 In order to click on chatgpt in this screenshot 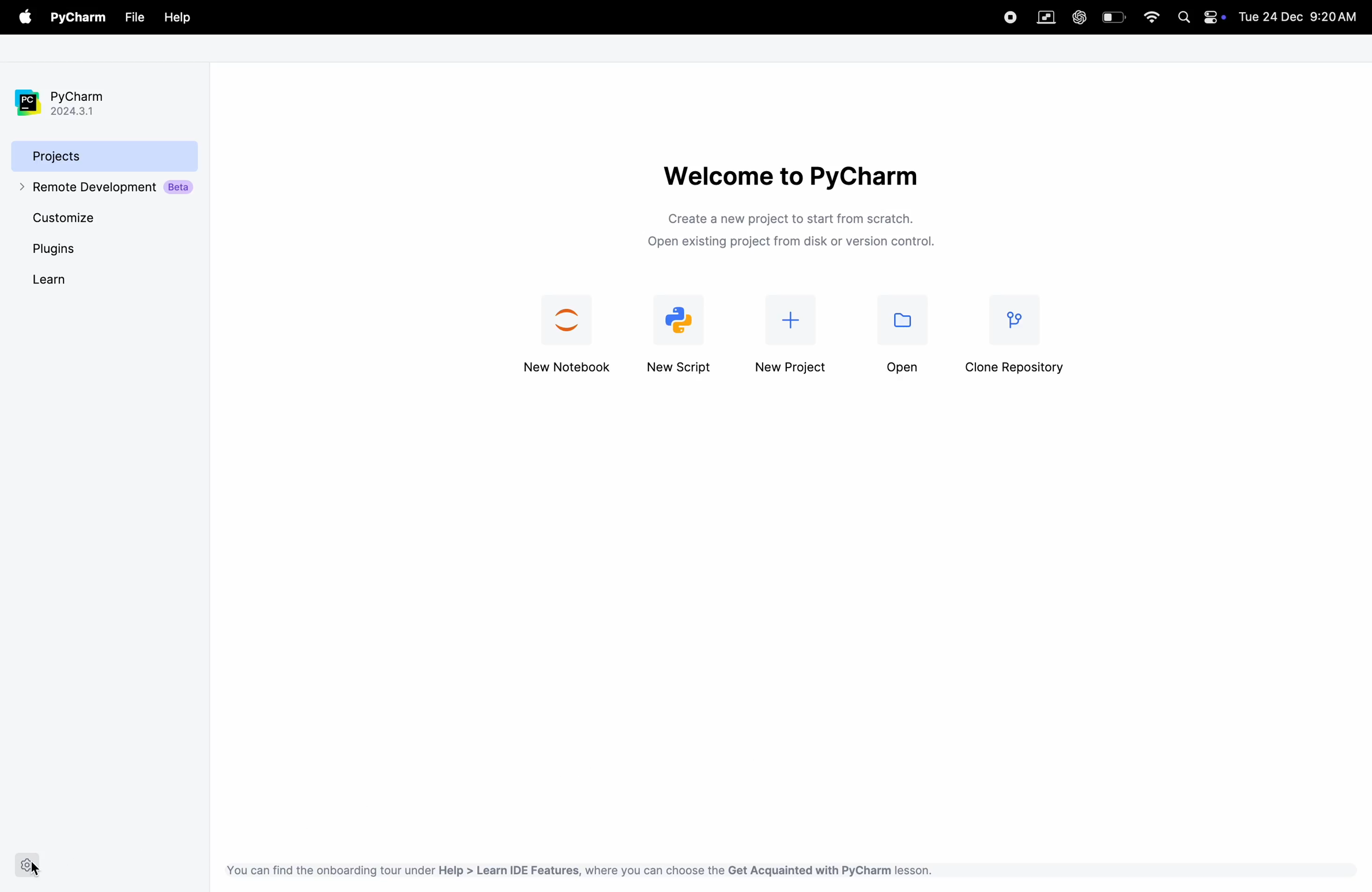, I will do `click(1078, 17)`.